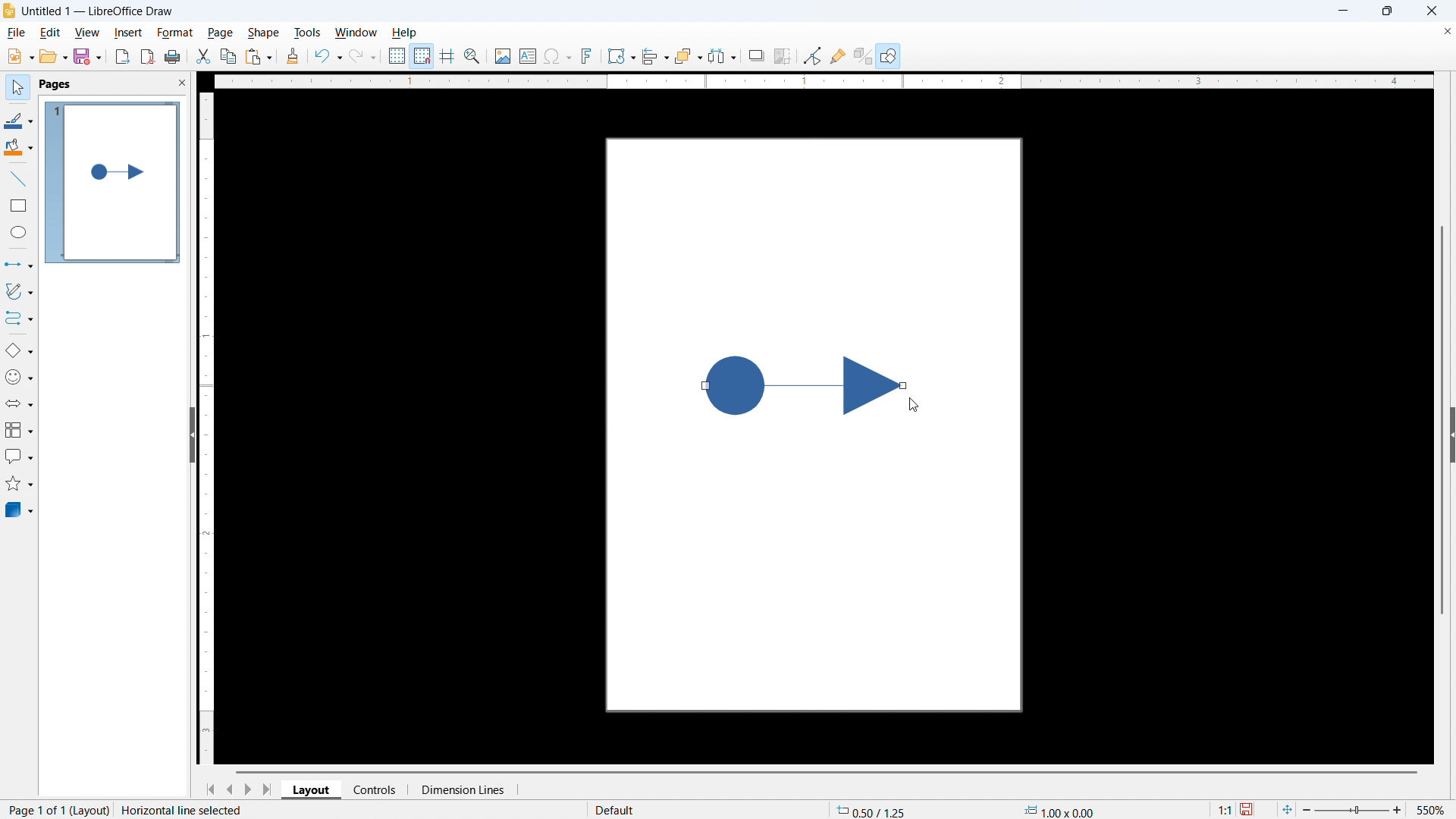 The height and width of the screenshot is (819, 1456). What do you see at coordinates (504, 56) in the screenshot?
I see `Insert image ` at bounding box center [504, 56].